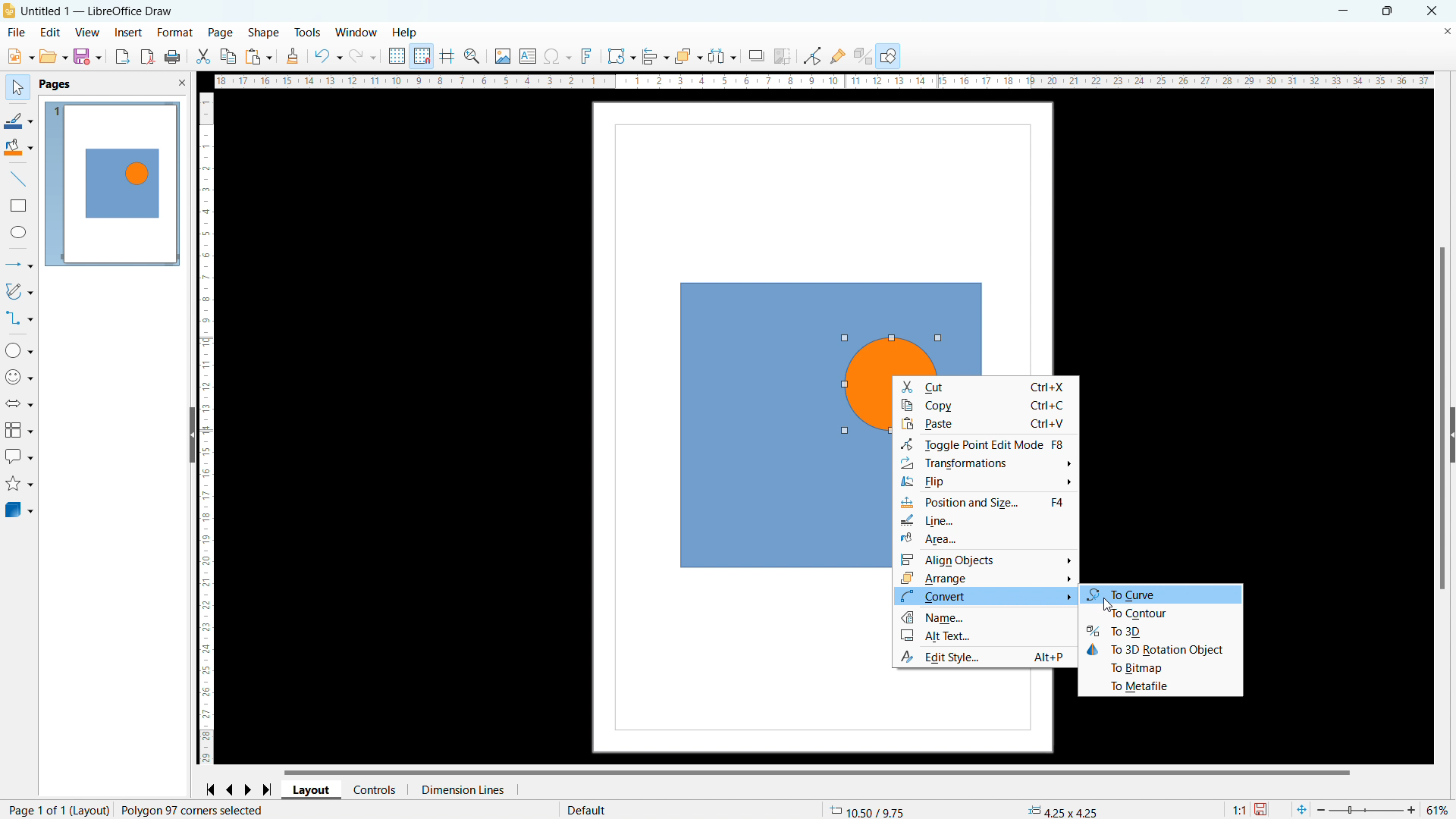 The image size is (1456, 819). What do you see at coordinates (1446, 30) in the screenshot?
I see `close document` at bounding box center [1446, 30].